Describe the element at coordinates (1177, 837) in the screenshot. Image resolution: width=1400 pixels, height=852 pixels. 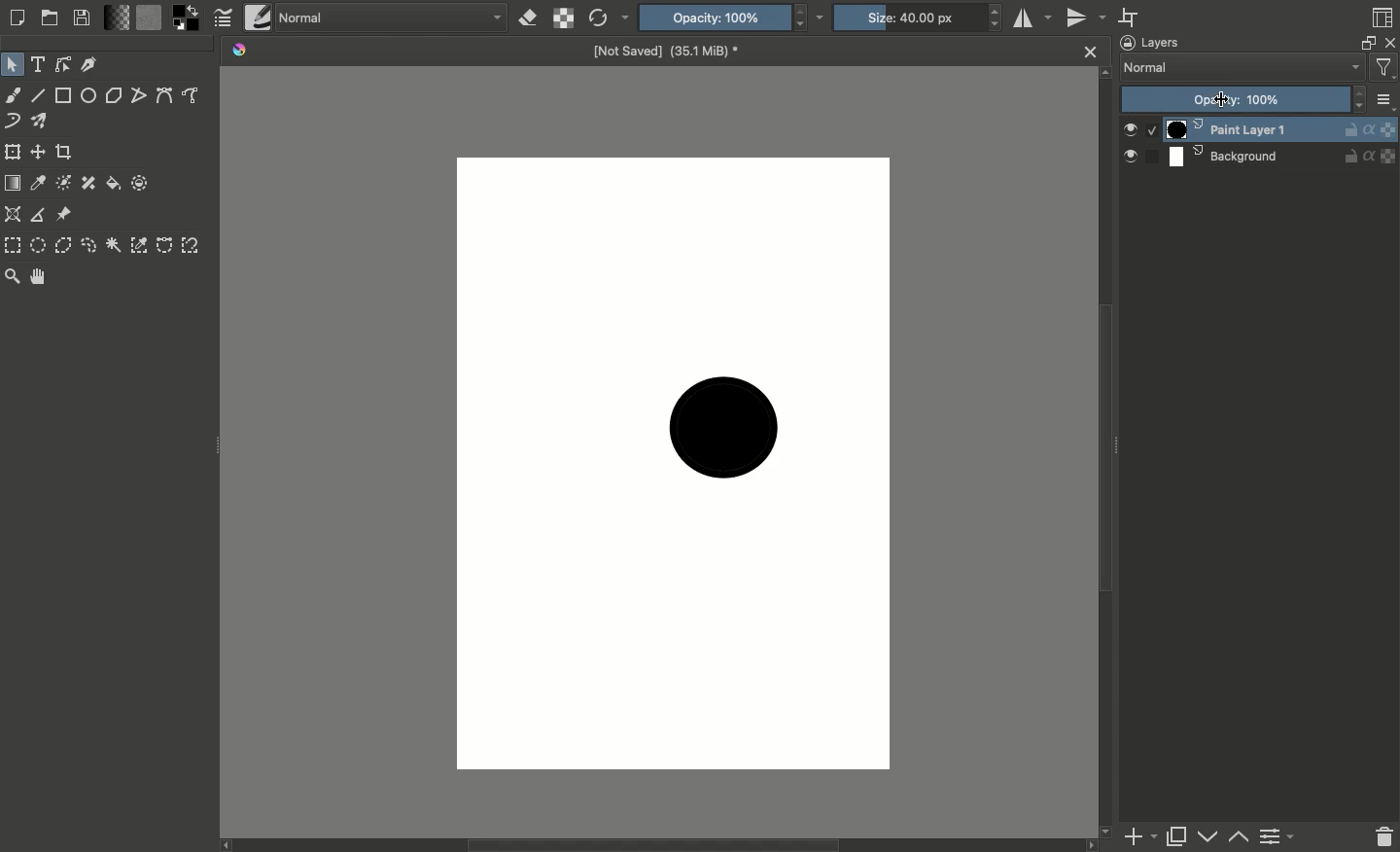
I see `Duplicate layer` at that location.